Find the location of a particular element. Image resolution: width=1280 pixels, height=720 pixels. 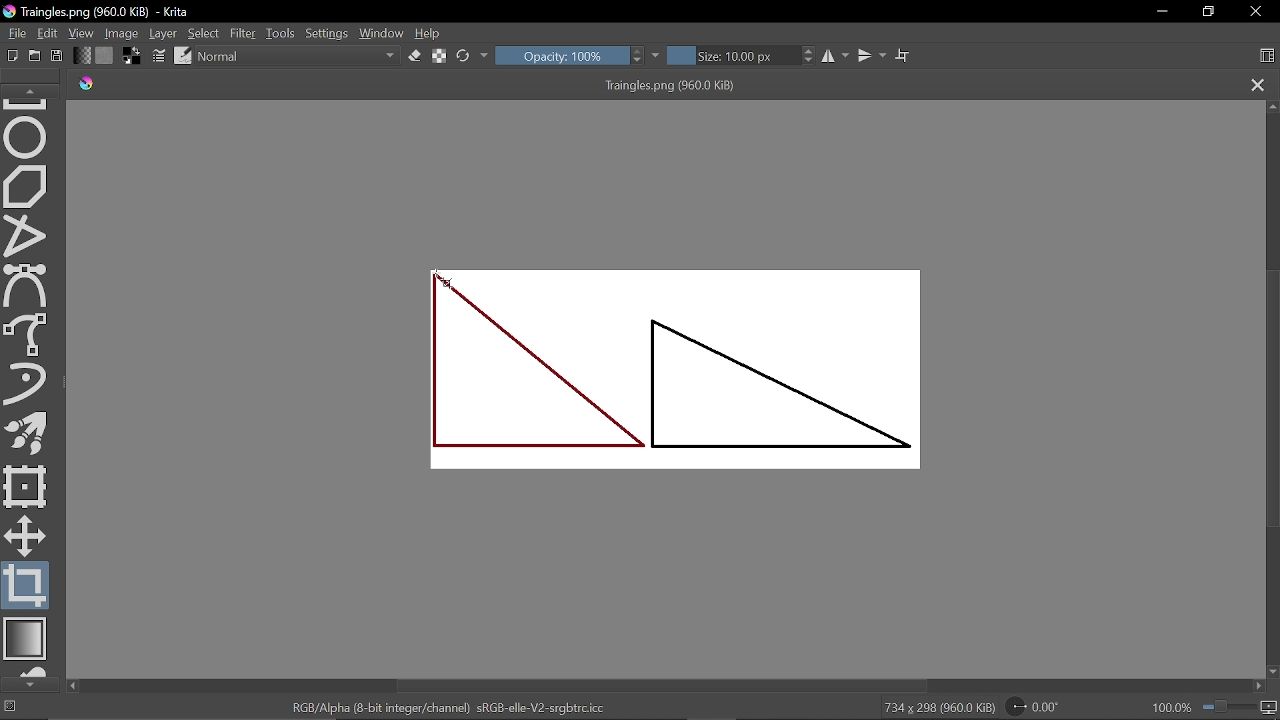

Transform a layer or a selection is located at coordinates (26, 485).